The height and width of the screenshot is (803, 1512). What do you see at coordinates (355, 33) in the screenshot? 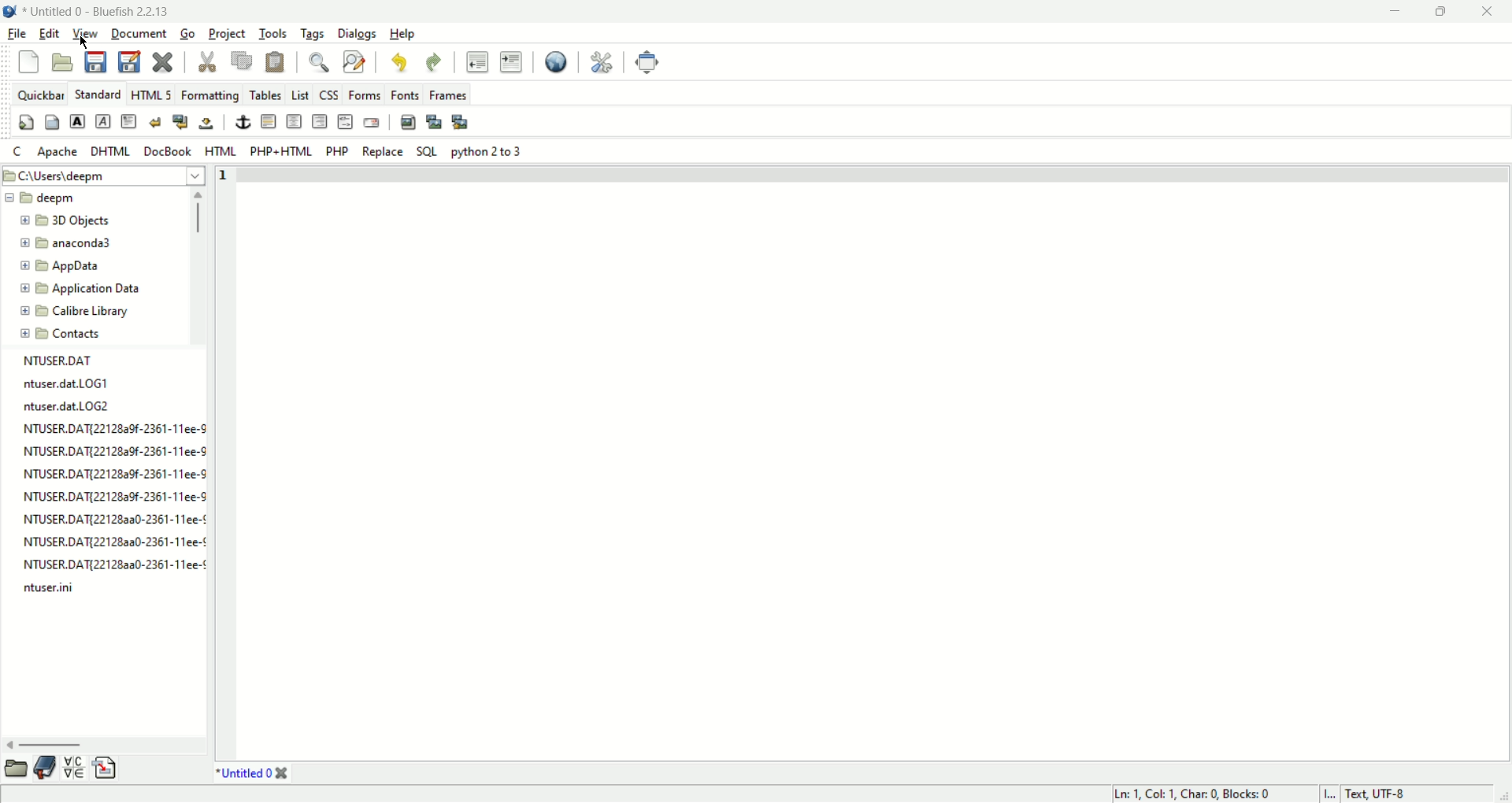
I see `dialogs` at bounding box center [355, 33].